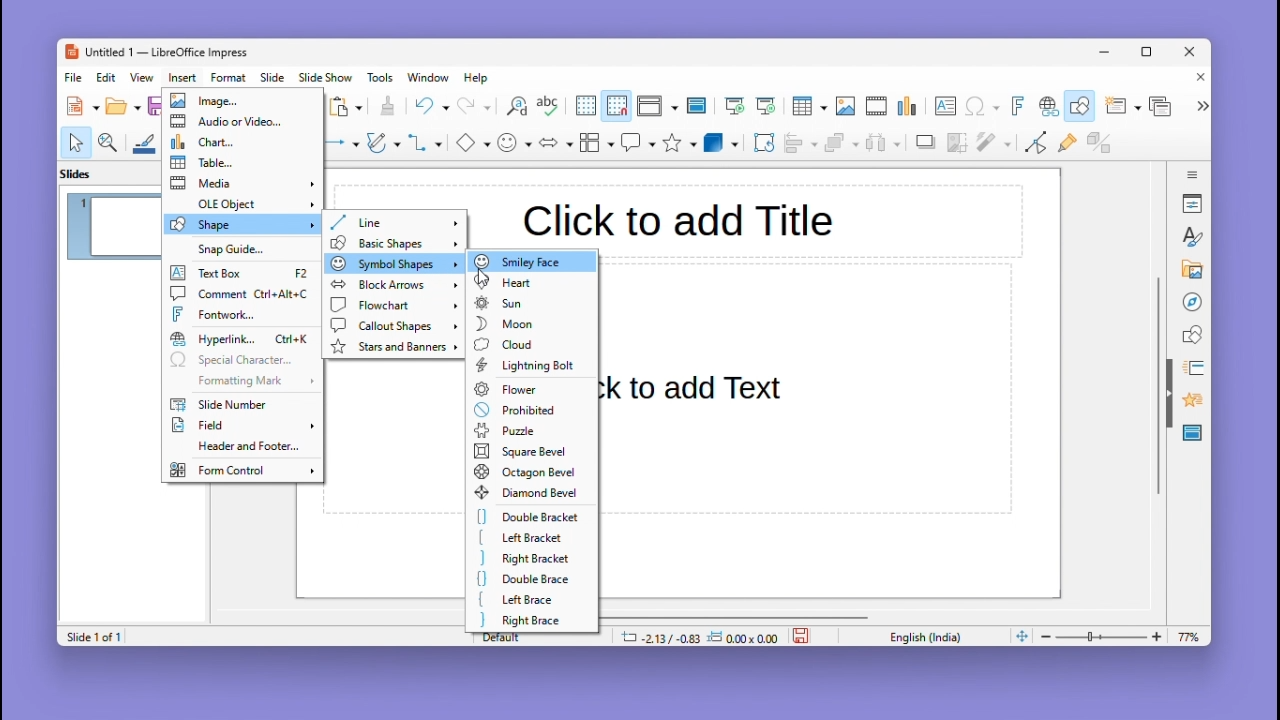 This screenshot has width=1280, height=720. What do you see at coordinates (515, 106) in the screenshot?
I see `find and replace` at bounding box center [515, 106].